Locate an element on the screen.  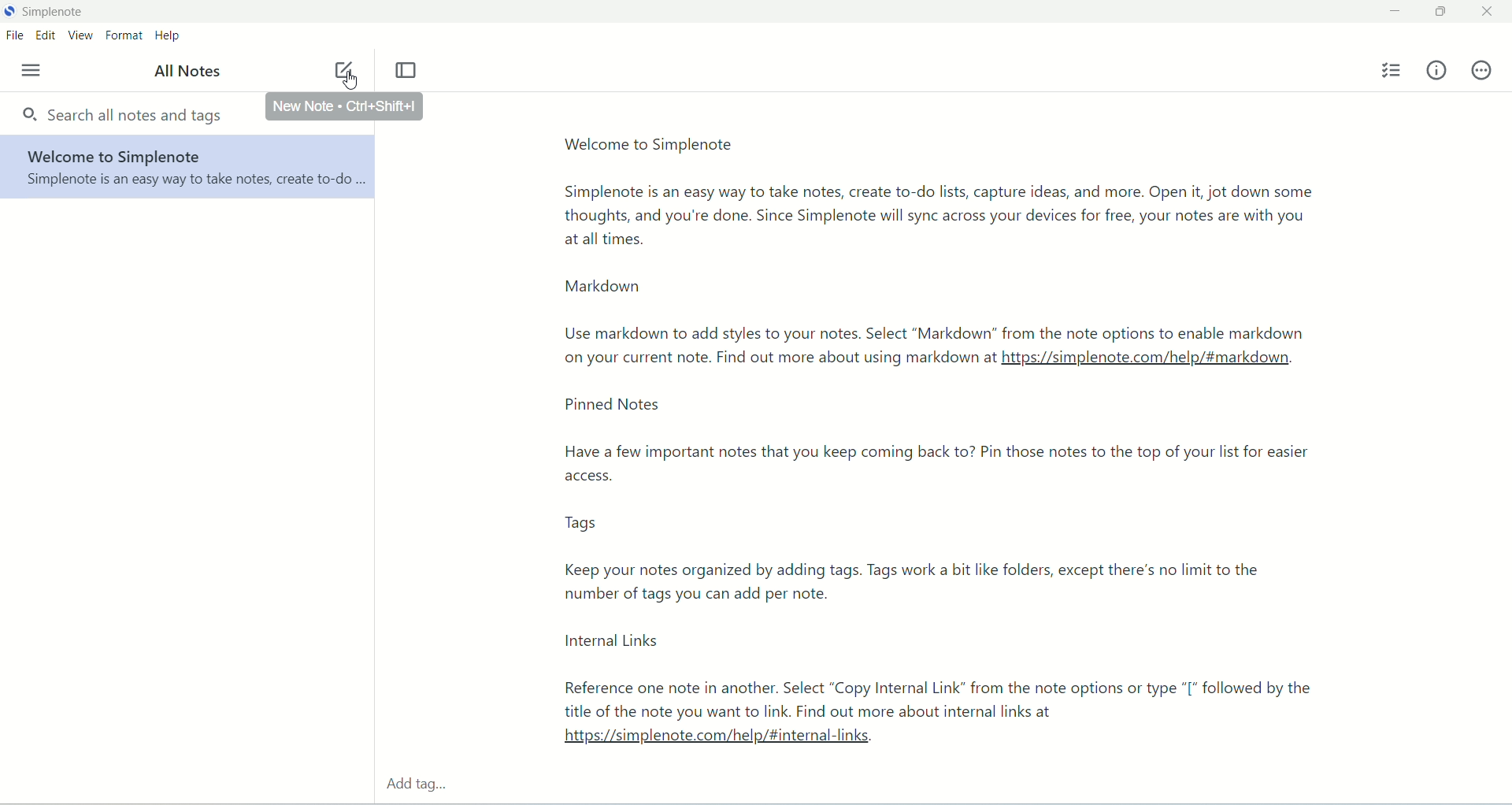
insert checklist is located at coordinates (1391, 71).